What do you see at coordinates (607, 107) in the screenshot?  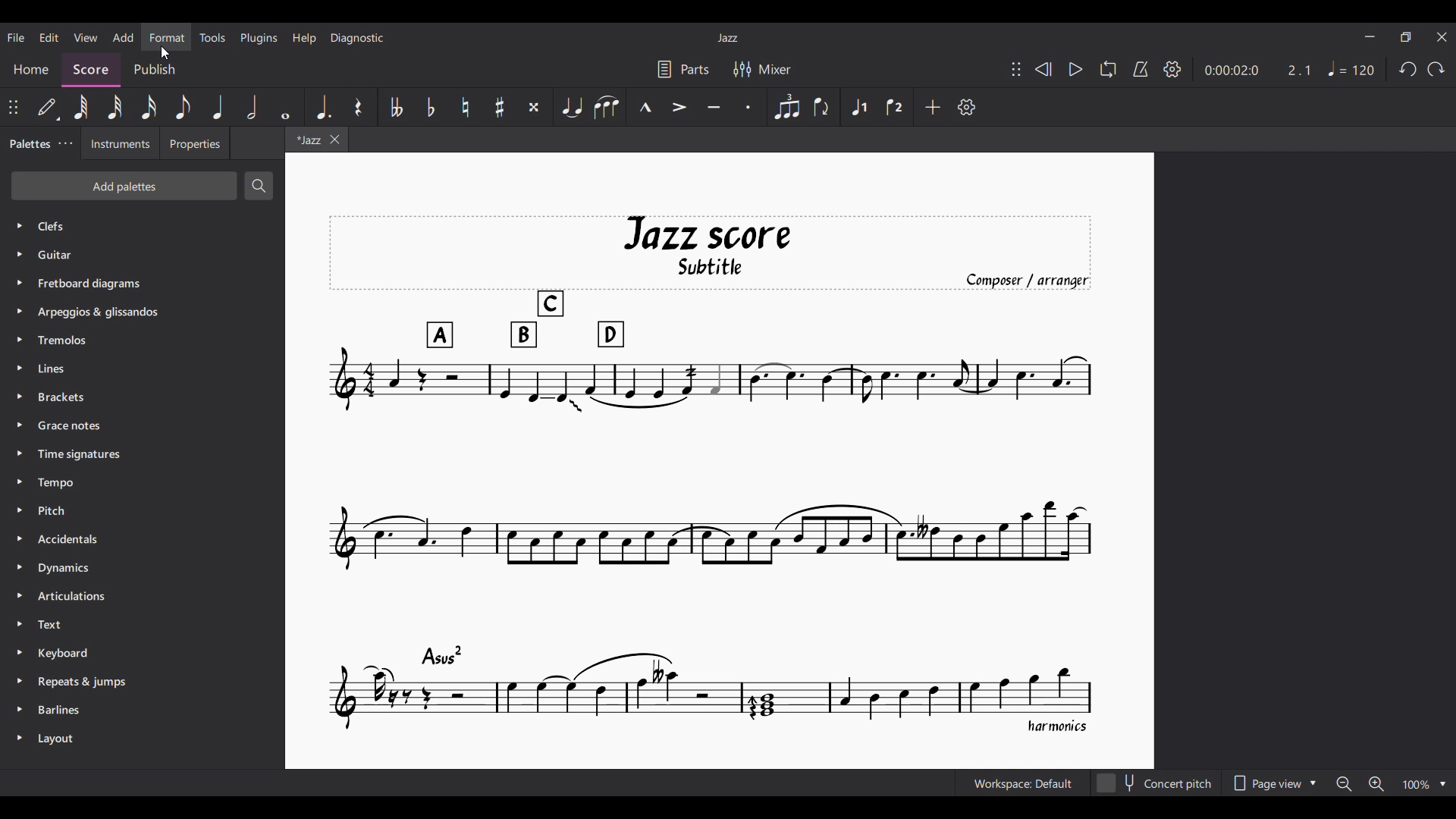 I see `Slur` at bounding box center [607, 107].